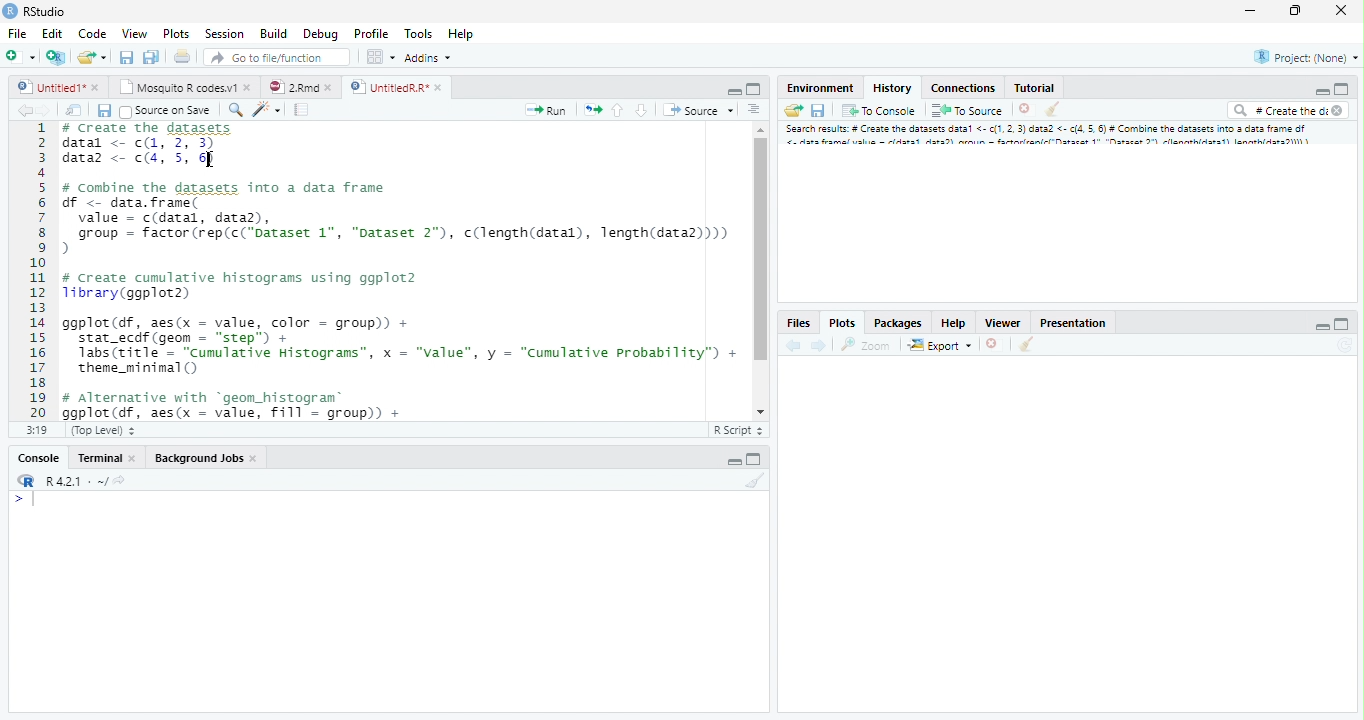 Image resolution: width=1364 pixels, height=720 pixels. Describe the element at coordinates (402, 271) in the screenshot. I see `# Combine the dataset into a data frame f <- data.frame(value = c(datal, data),group = factor (rep(c("Dataset 1", "Dataset 2"), c(length(datal), length(data2))))create cumulative histograms using ggplot2brary (ggplot2)gplot(df, aes(x = value, color = group)) +stat_ecdf (geom = “step”) +Tabs(ritle = “cumulative Histograms”, x = "value", y = “Cumulative Probability”) +theme_mininal ()Alternative with “geom_histogram®gplot(df, aes(x = value, Fill = group)) +geon_histogram(aes(y = cumsum(.. count. .)/sun(. .count..)),position = "identity", alpha = 0.5, bins = 30) +1abs(title = “Cumulative Histograms”, x = "value", y = “Cumulative Probability”) +` at that location.